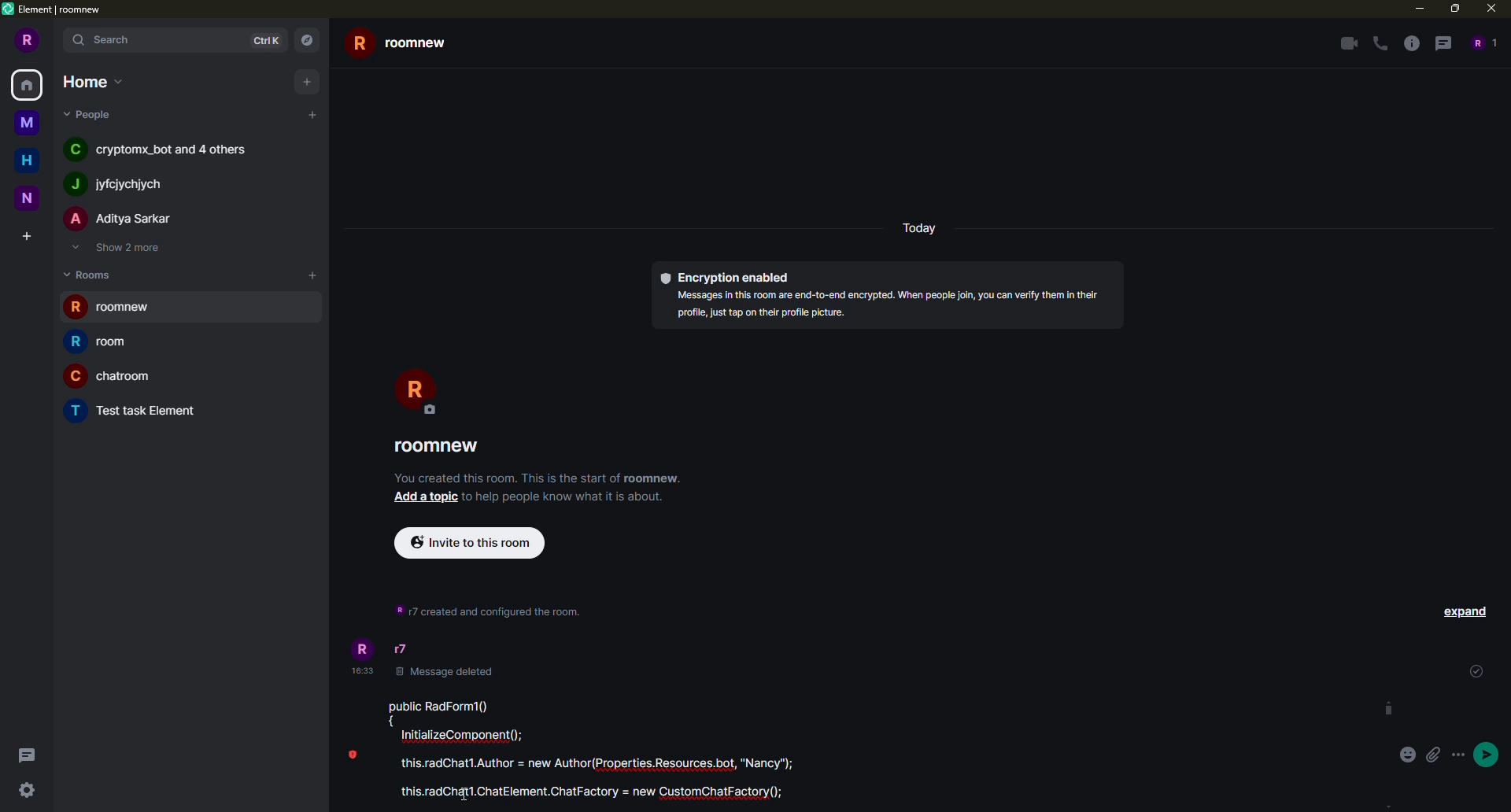 The height and width of the screenshot is (812, 1511). What do you see at coordinates (465, 541) in the screenshot?
I see `invite to this room` at bounding box center [465, 541].